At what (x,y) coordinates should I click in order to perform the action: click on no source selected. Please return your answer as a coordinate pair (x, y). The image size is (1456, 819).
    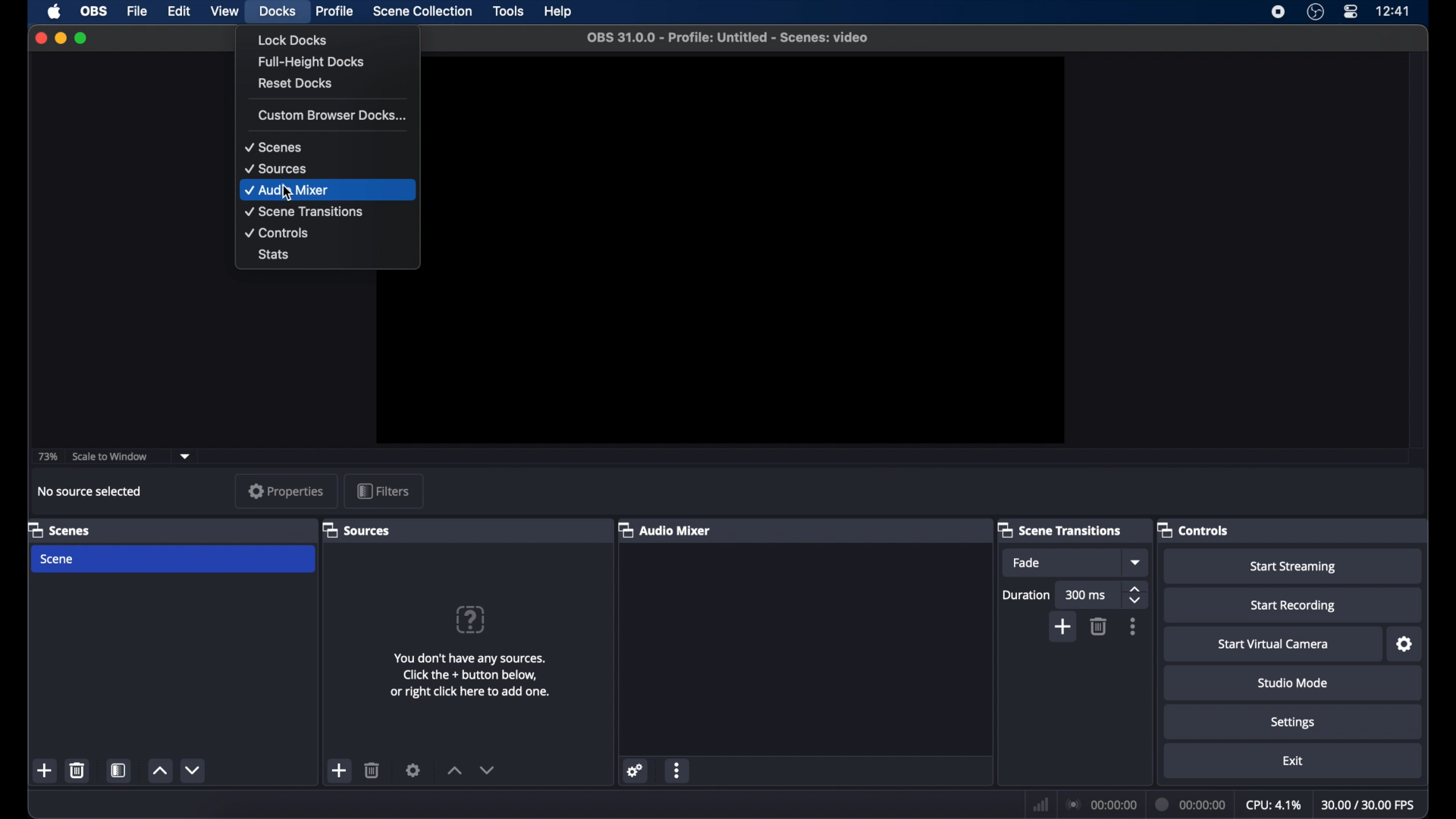
    Looking at the image, I should click on (90, 491).